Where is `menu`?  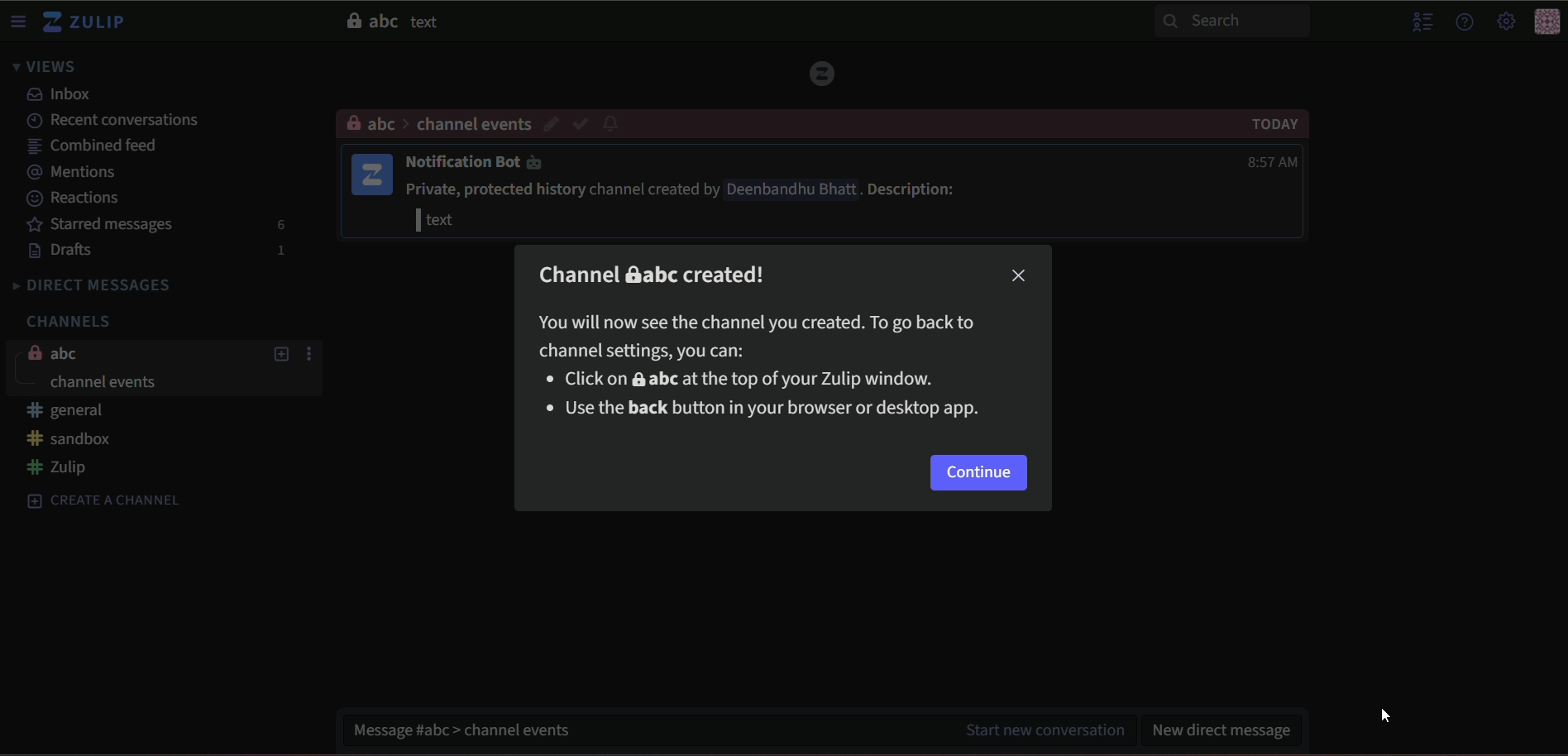
menu is located at coordinates (21, 22).